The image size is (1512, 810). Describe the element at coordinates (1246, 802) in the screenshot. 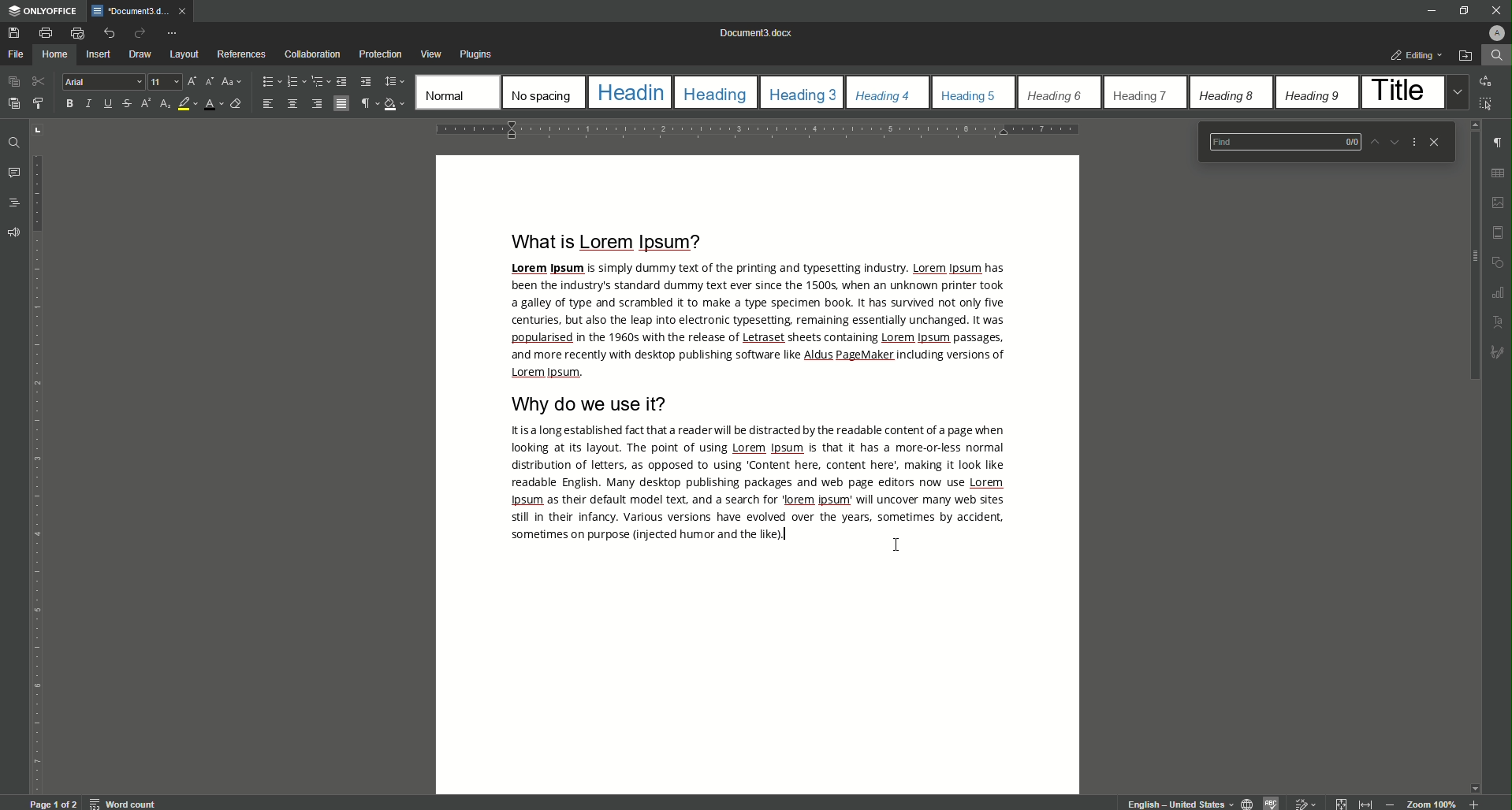

I see `globe` at that location.